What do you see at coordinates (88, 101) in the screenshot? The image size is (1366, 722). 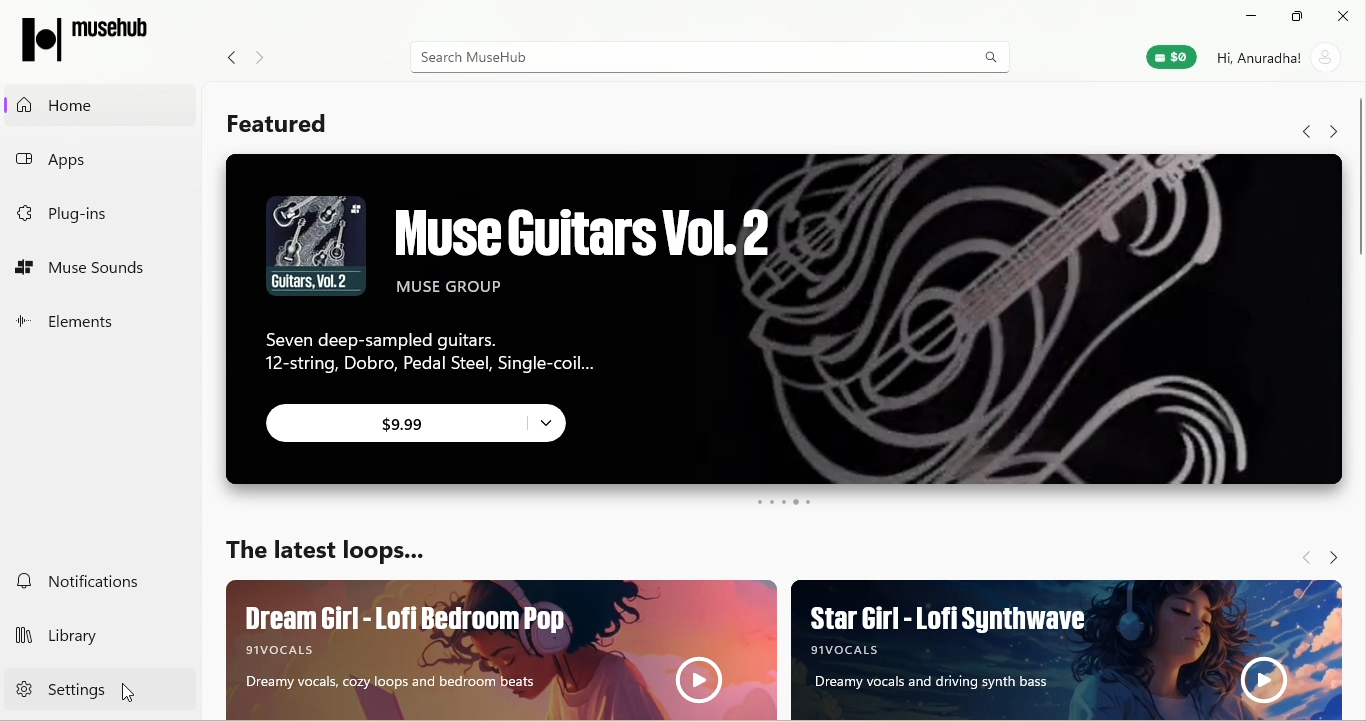 I see `home` at bounding box center [88, 101].